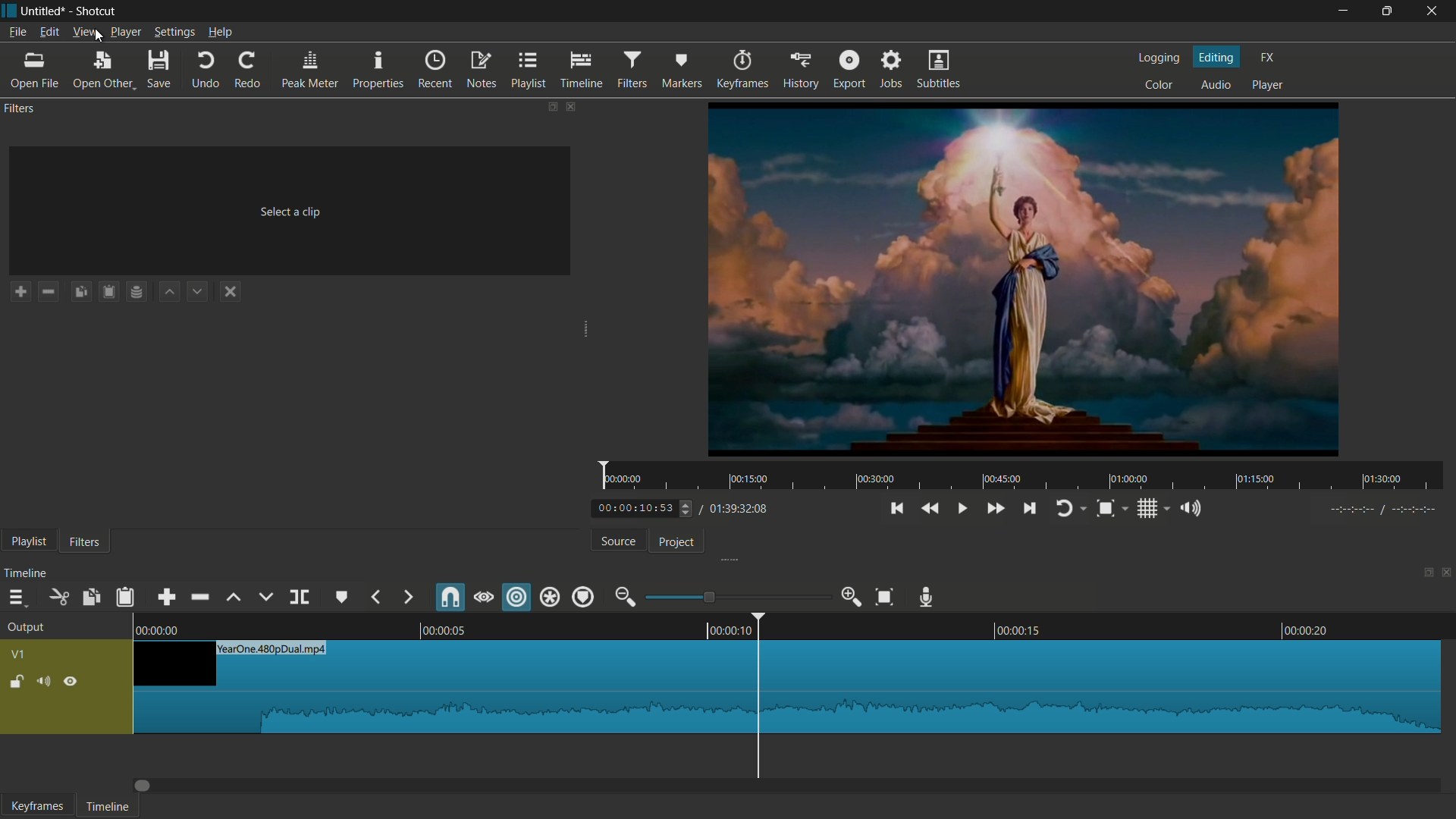 This screenshot has width=1456, height=819. Describe the element at coordinates (159, 71) in the screenshot. I see `save` at that location.